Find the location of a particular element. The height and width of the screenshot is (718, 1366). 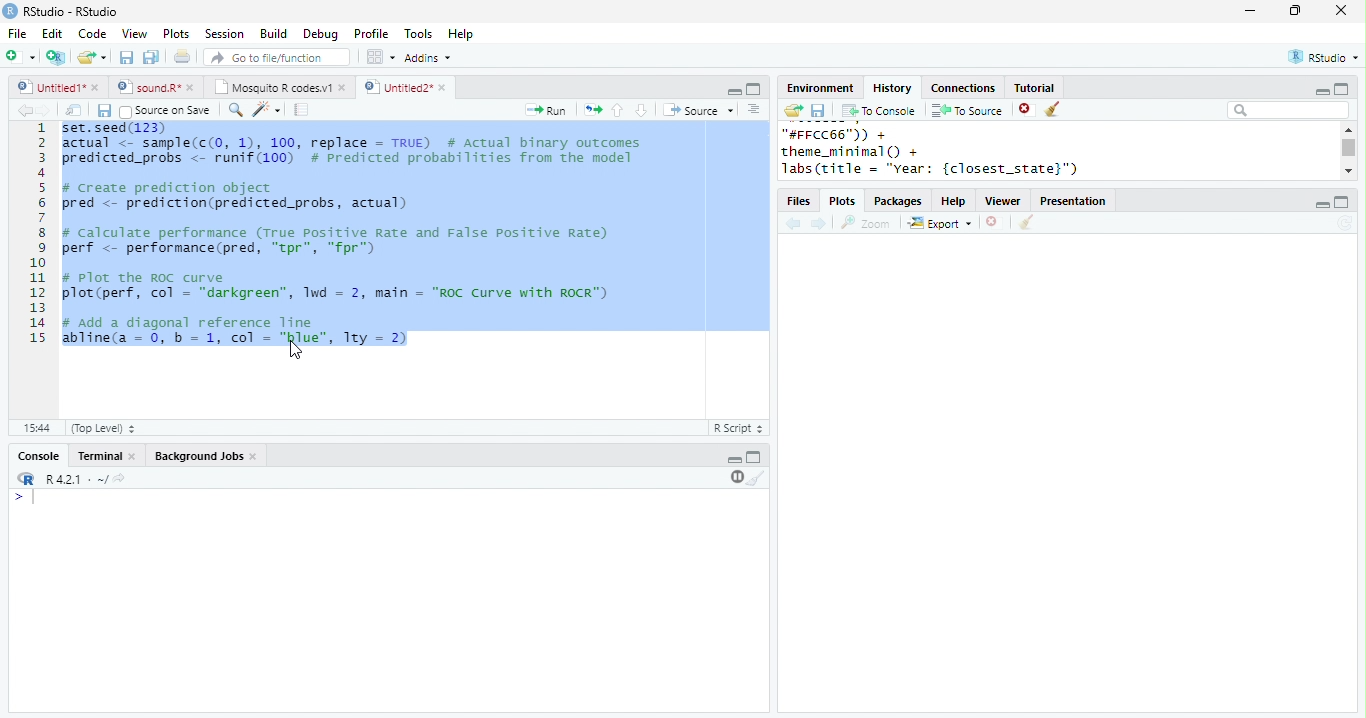

new project is located at coordinates (57, 57).